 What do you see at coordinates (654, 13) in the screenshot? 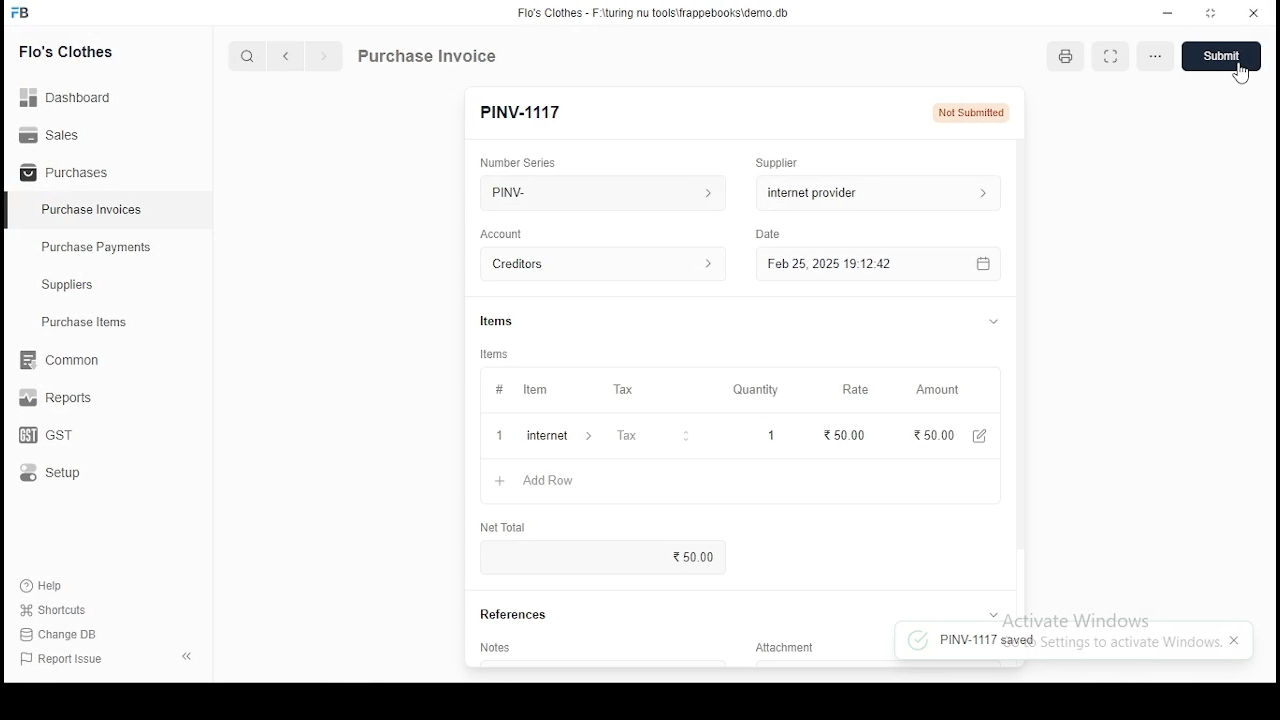
I see `flo's clothes - F:\turing nu tools\frappebooks\demo.db` at bounding box center [654, 13].